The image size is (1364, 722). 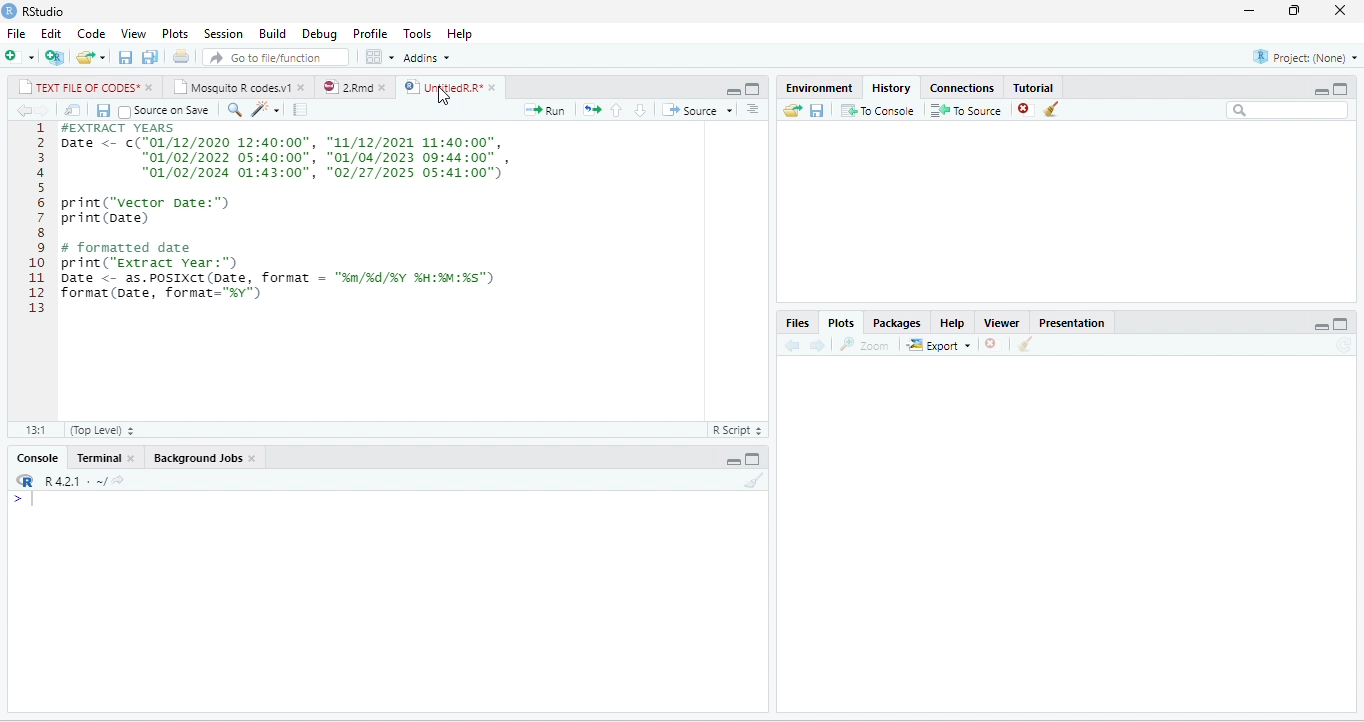 What do you see at coordinates (290, 158) in the screenshot?
I see `1 Date <- c( "01/12/2020 12:40:00" , "11/12/2021 11:40:00" , “01/02/2022 05:40:00", "01/04/2023 09:44:00" , "01/02/2024 01:43:00", "02/27/2025 05:41:00")` at bounding box center [290, 158].